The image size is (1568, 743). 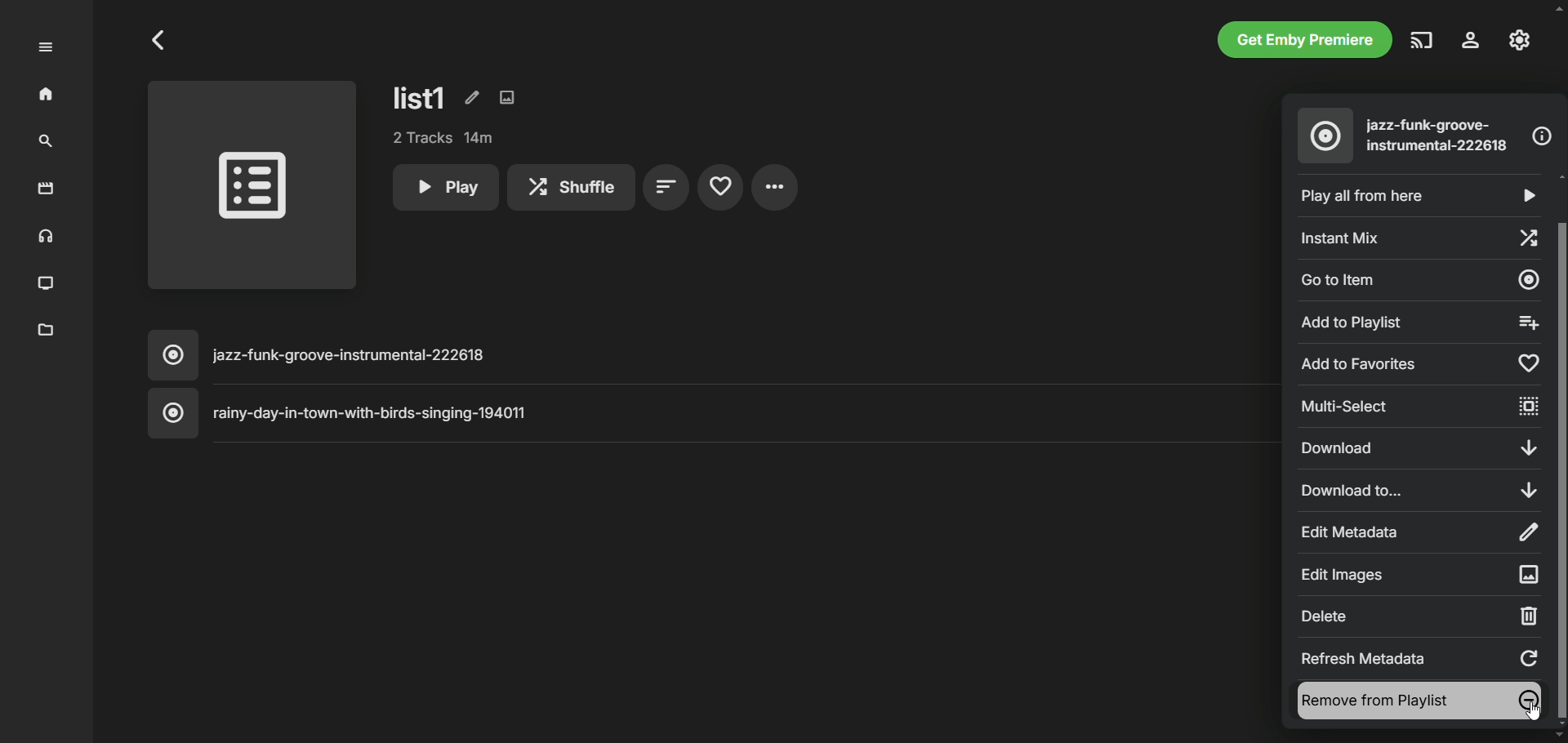 What do you see at coordinates (46, 142) in the screenshot?
I see `search` at bounding box center [46, 142].